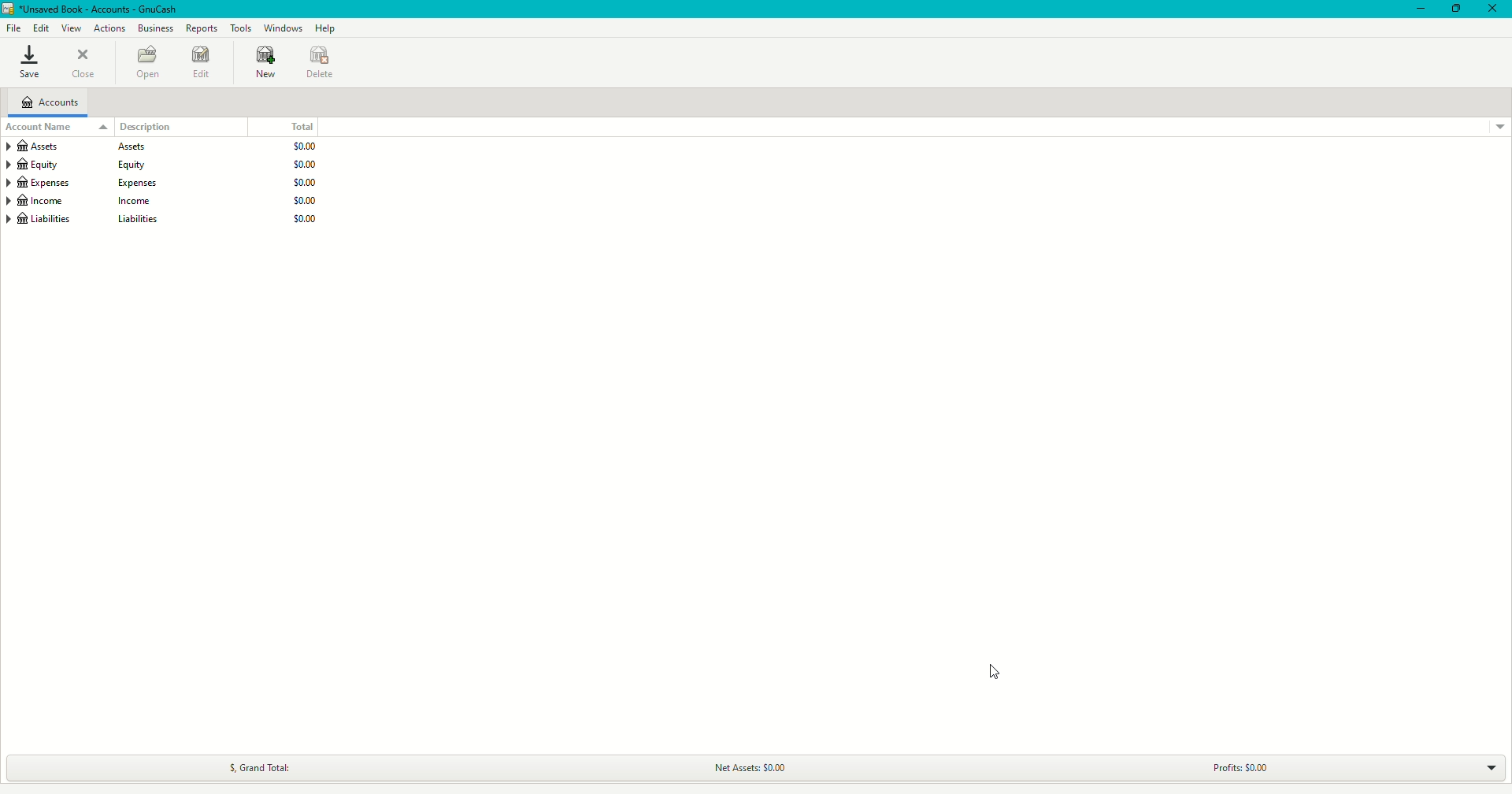 The image size is (1512, 794). I want to click on Open, so click(149, 62).